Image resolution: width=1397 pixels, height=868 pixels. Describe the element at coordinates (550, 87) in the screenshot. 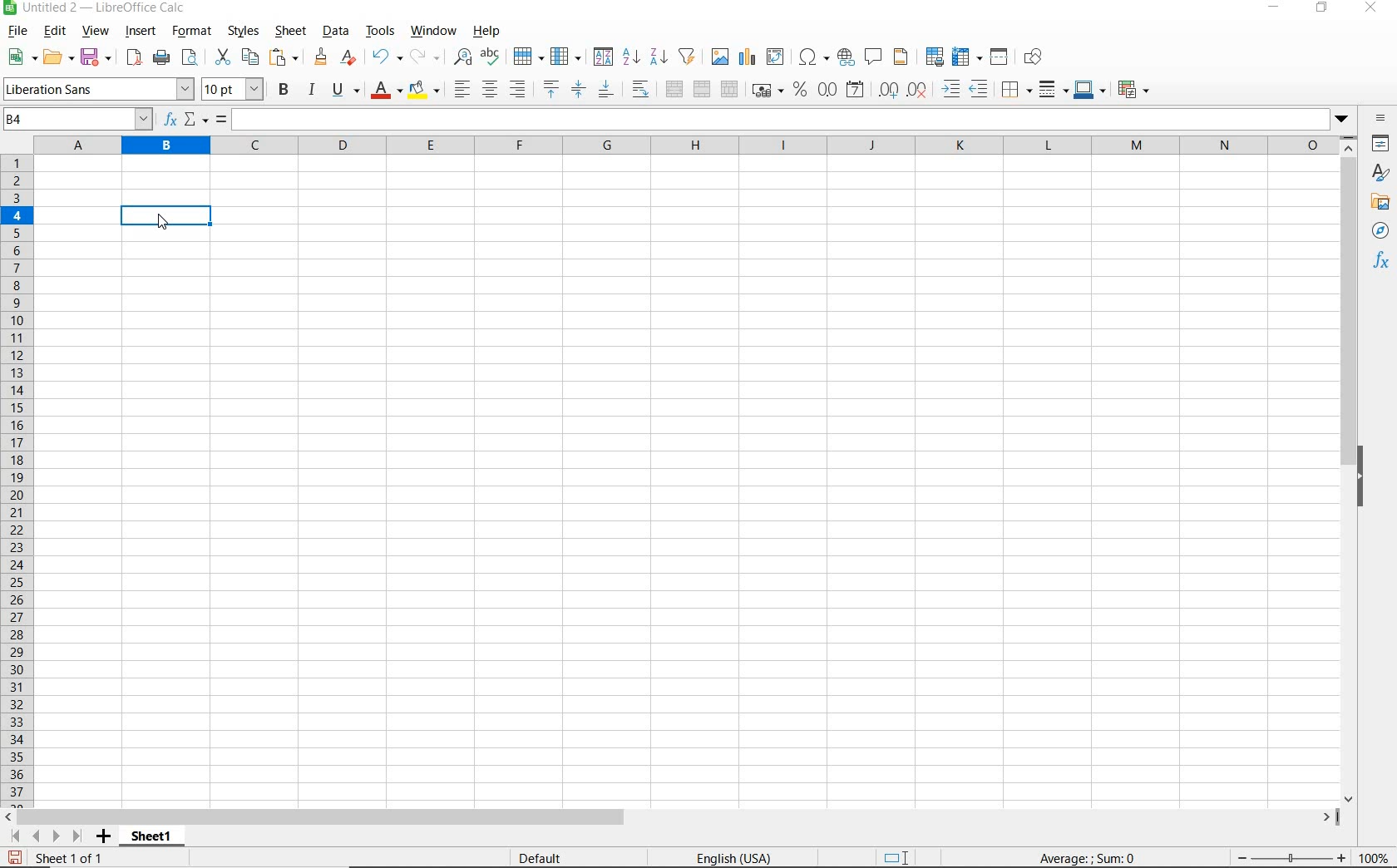

I see `align top` at that location.